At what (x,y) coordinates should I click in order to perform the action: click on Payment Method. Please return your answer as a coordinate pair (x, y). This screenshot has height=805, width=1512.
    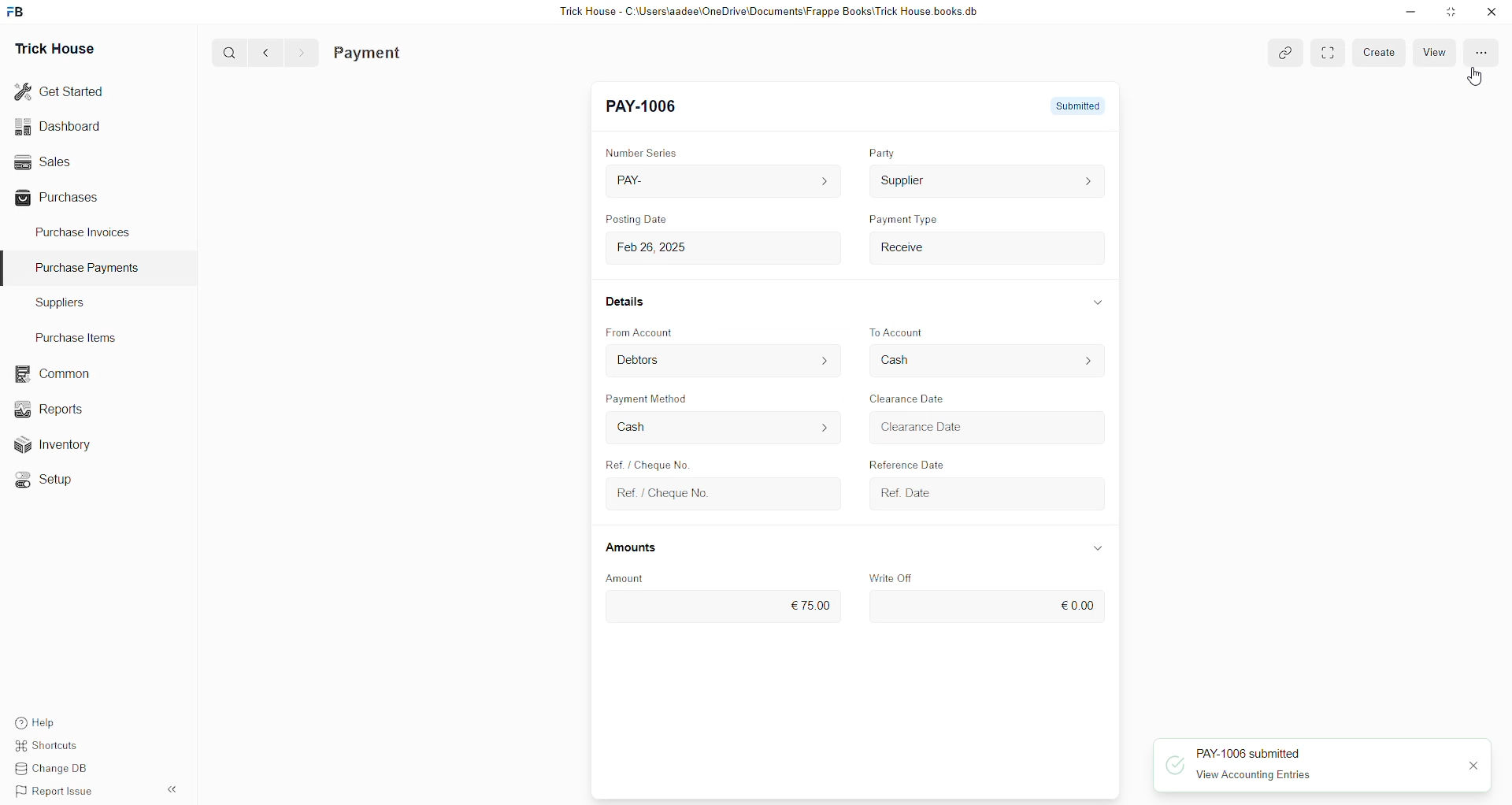
    Looking at the image, I should click on (648, 398).